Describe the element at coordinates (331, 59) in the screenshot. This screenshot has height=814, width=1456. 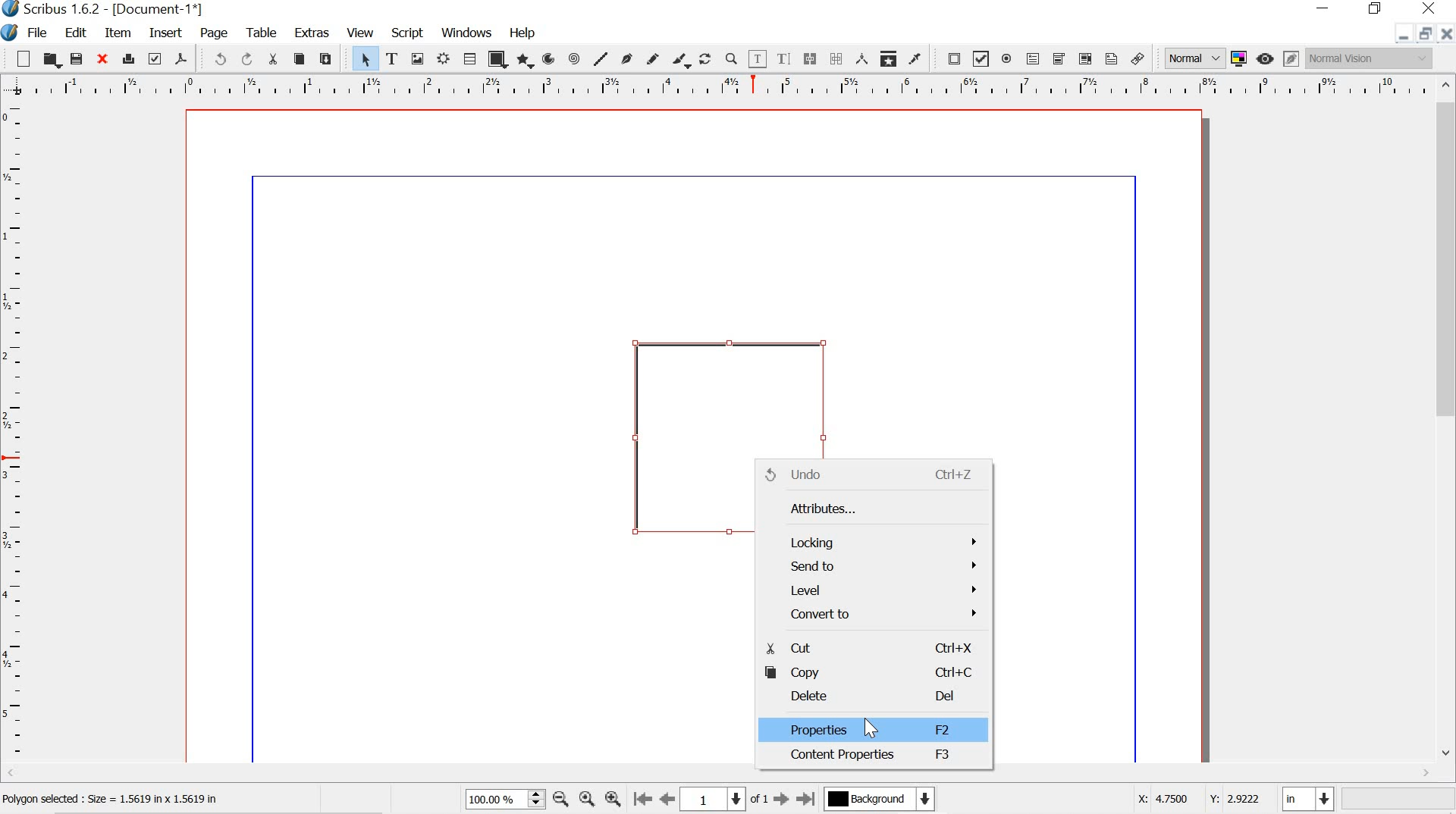
I see `paste` at that location.